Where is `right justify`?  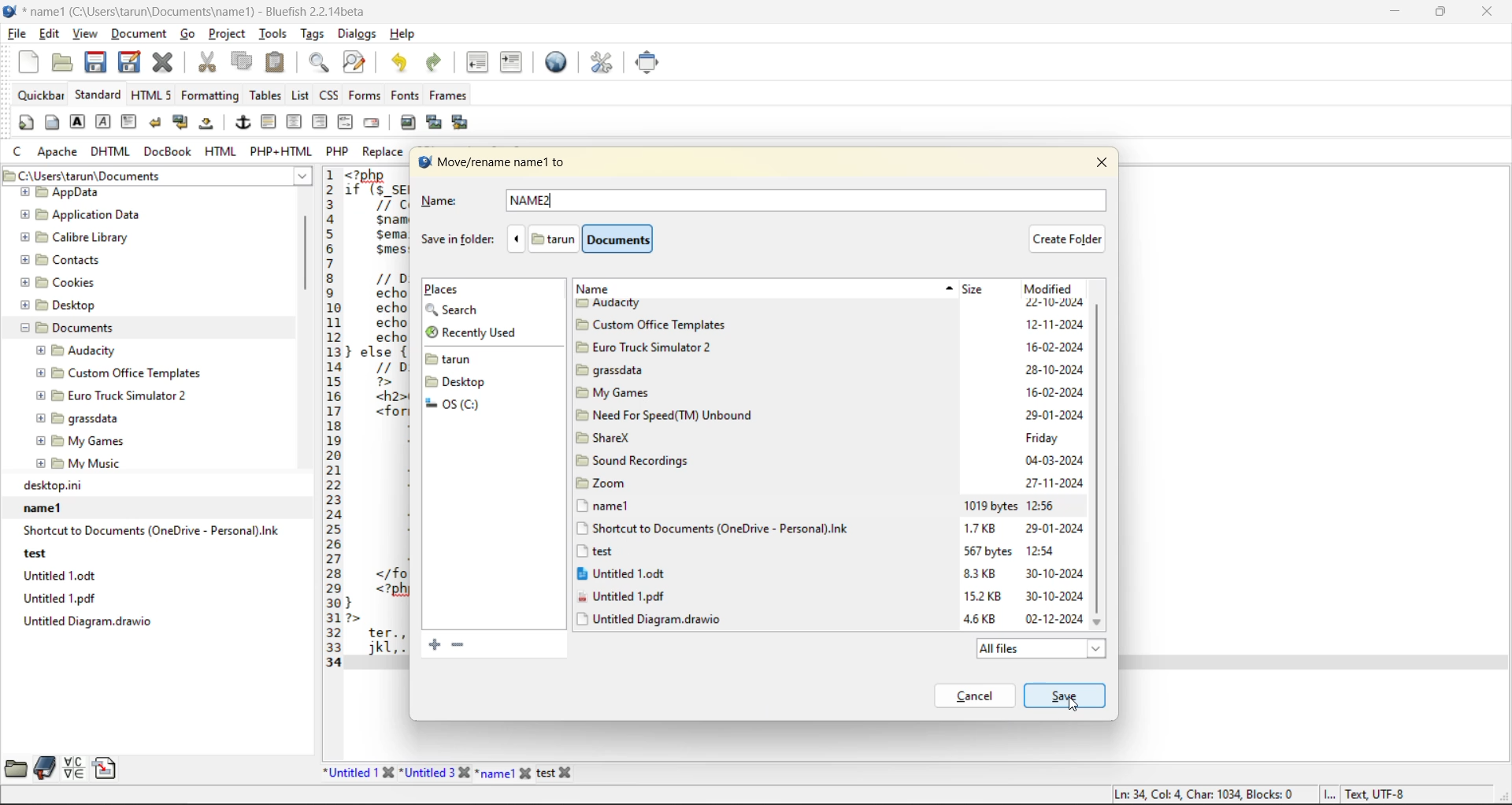
right justify is located at coordinates (321, 124).